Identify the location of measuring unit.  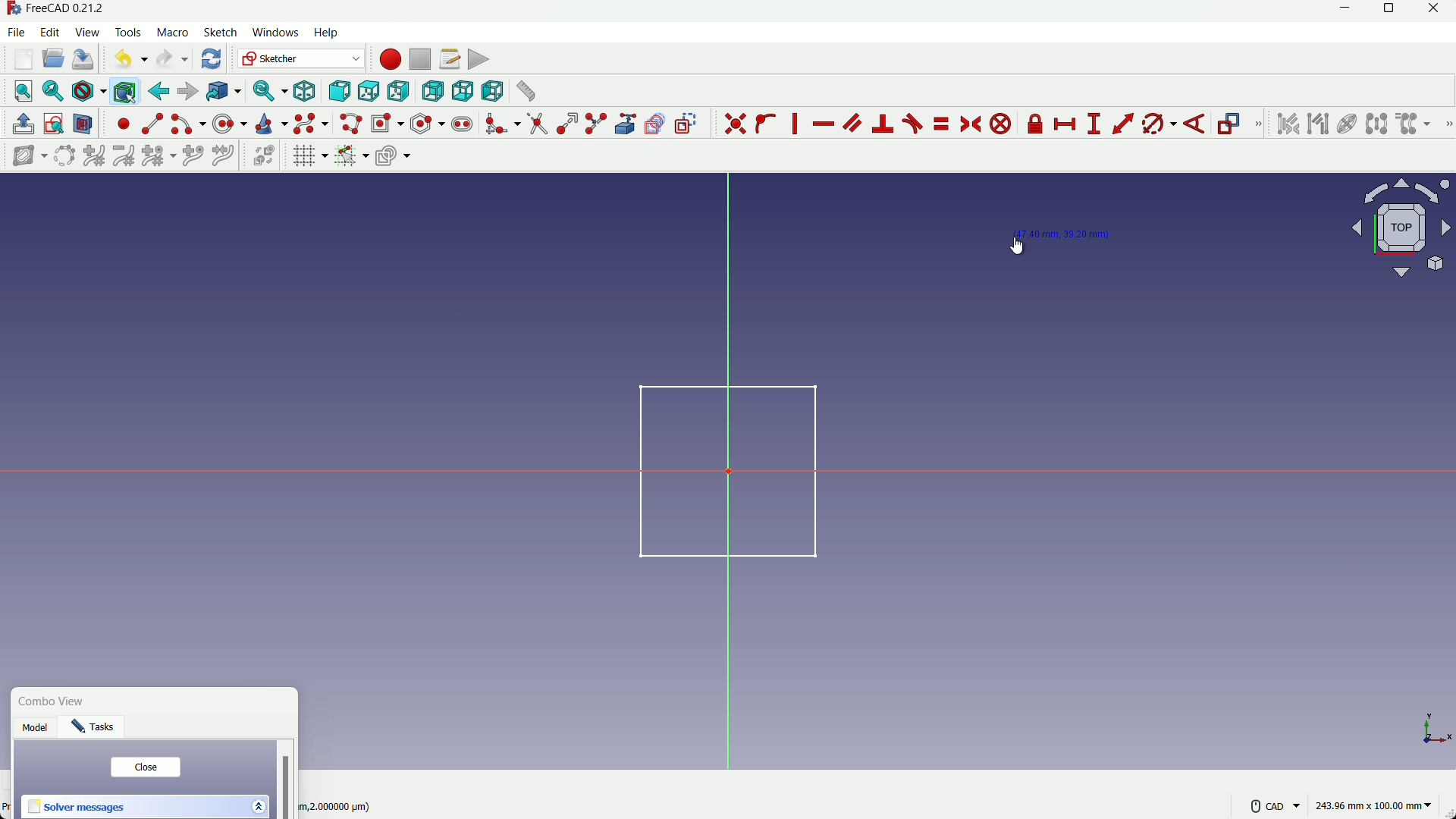
(1376, 806).